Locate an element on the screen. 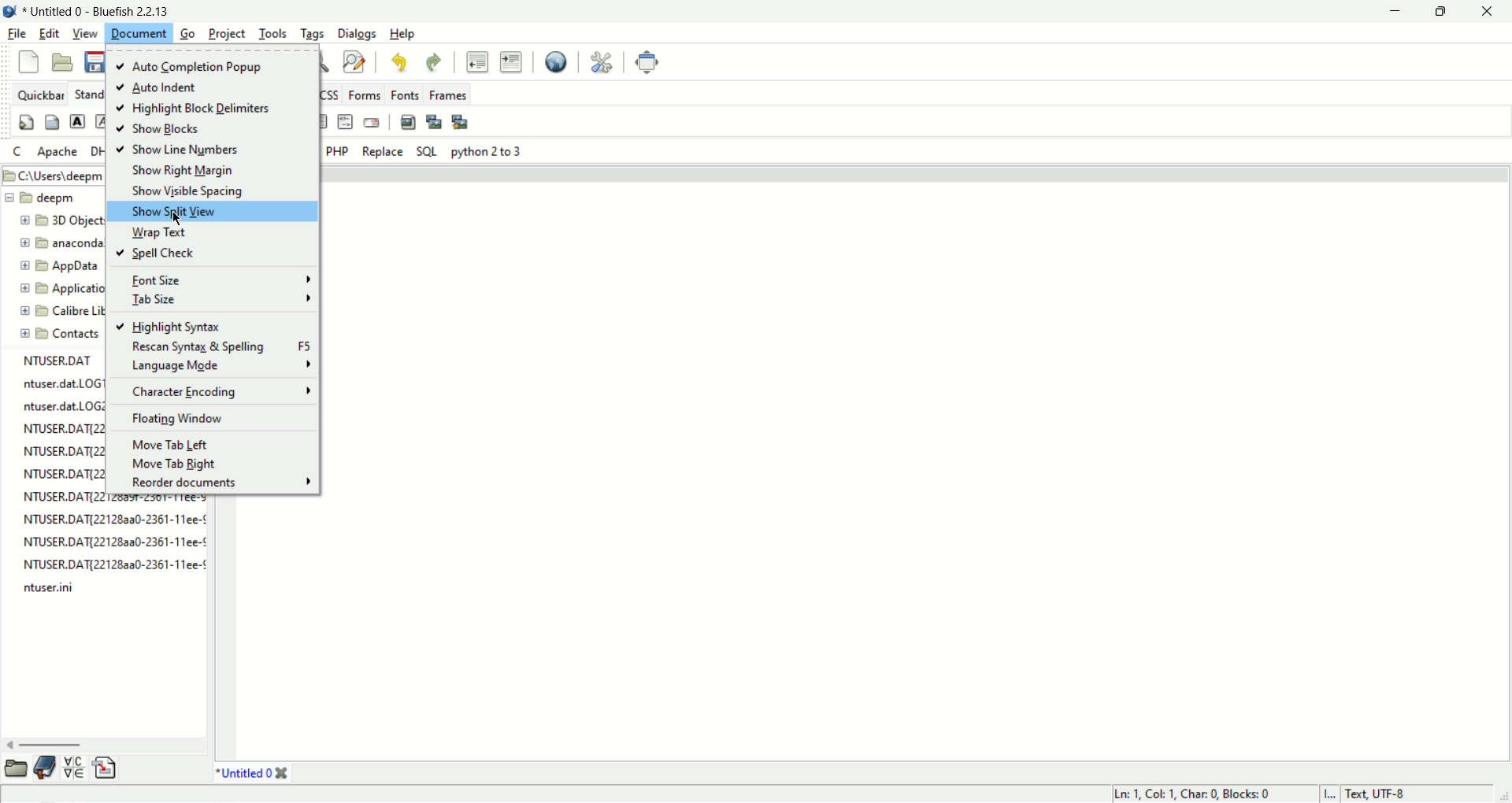  show line numbers is located at coordinates (186, 150).